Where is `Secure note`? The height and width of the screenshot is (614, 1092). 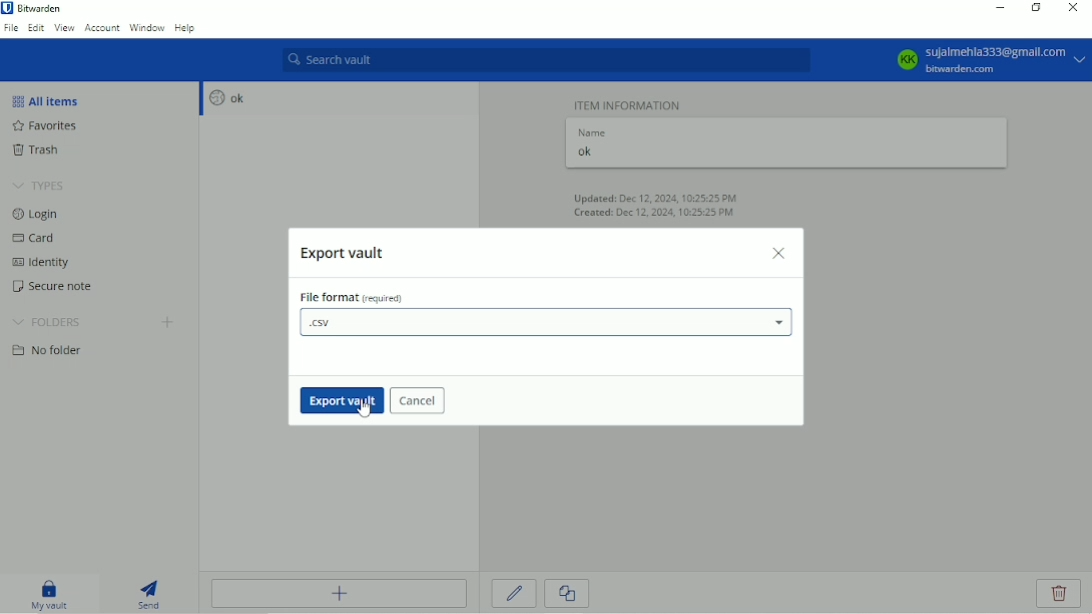
Secure note is located at coordinates (62, 289).